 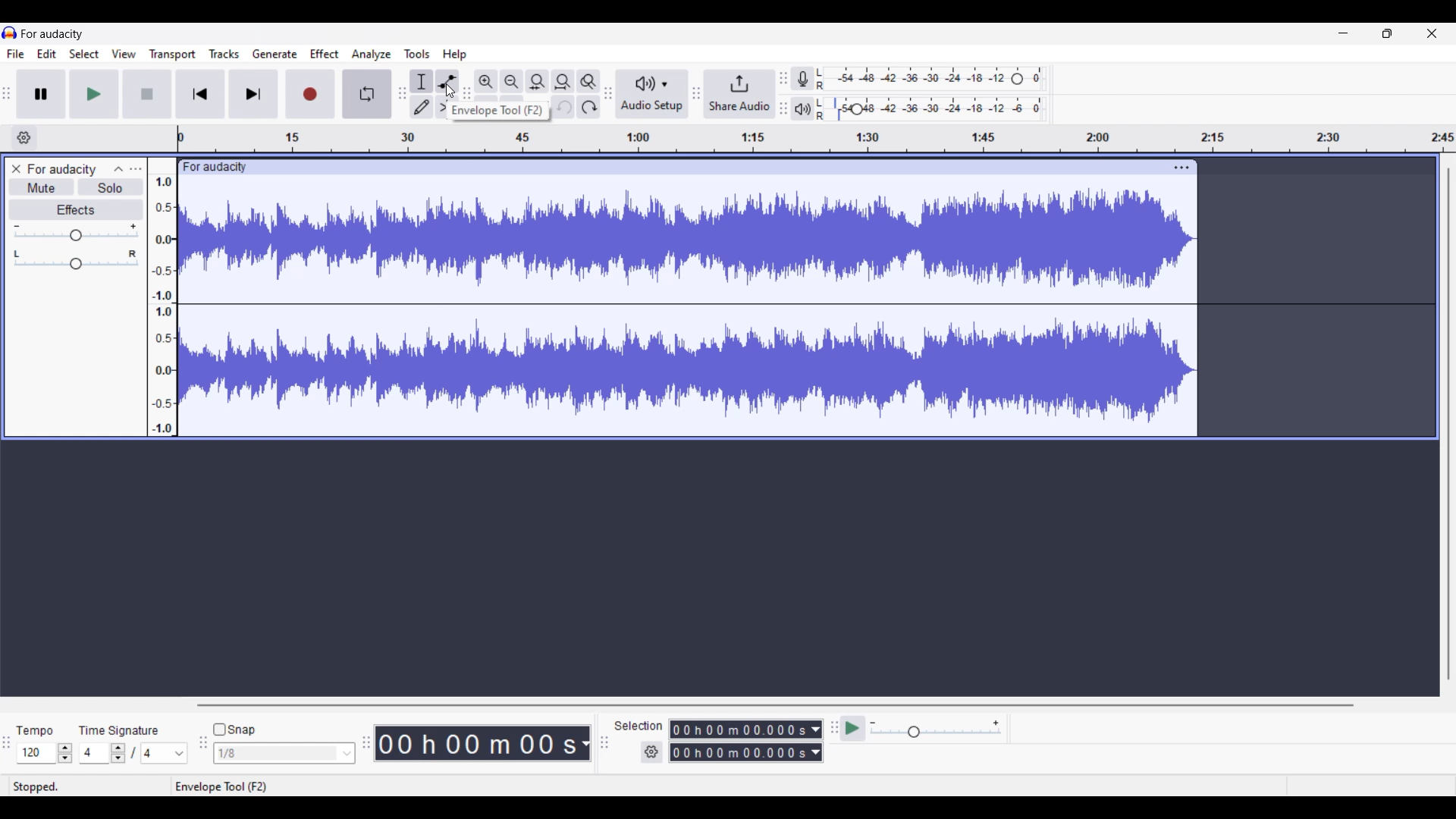 I want to click on Fit project to width, so click(x=564, y=81).